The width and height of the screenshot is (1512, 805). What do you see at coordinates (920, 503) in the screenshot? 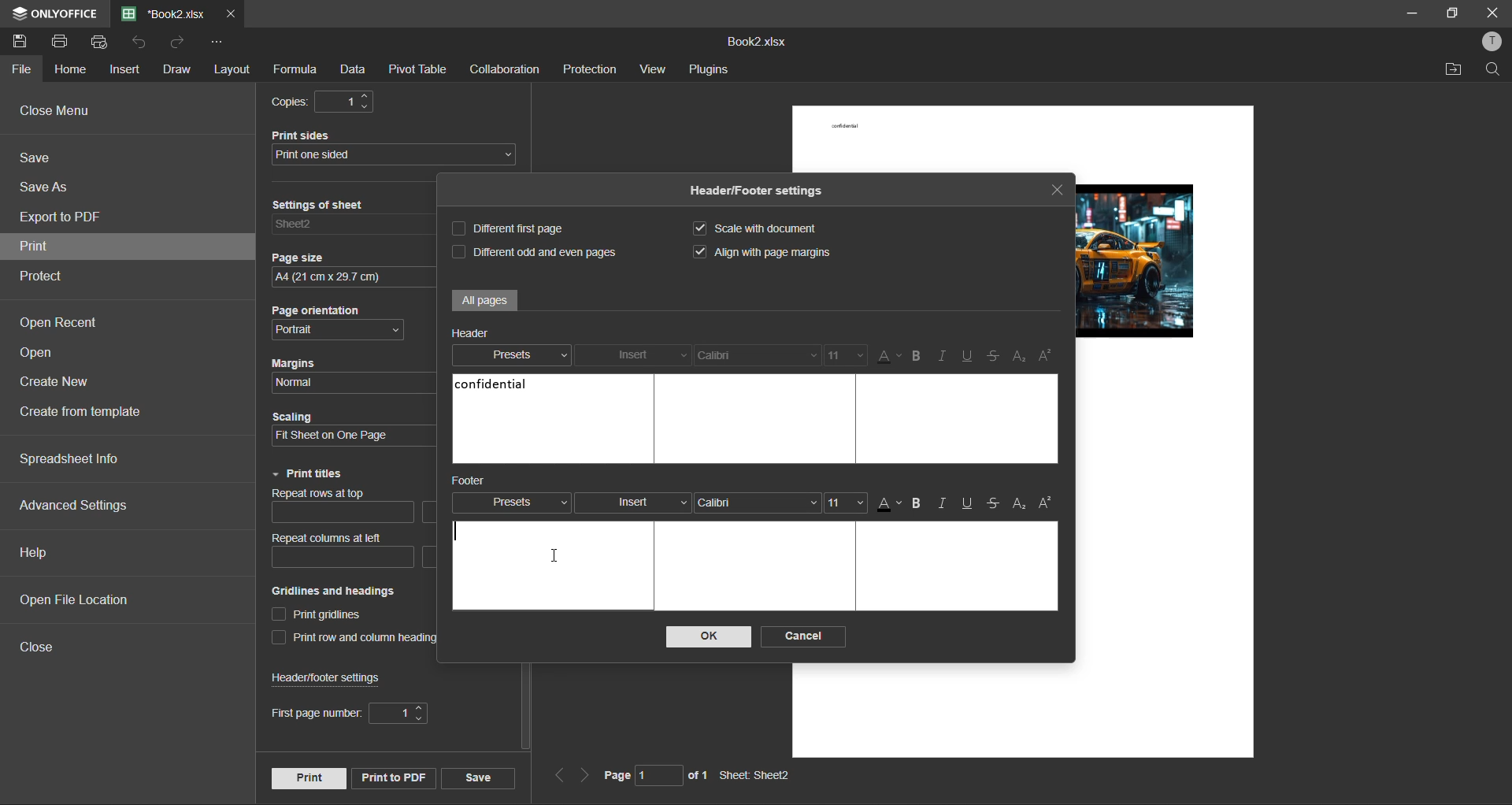
I see `bold` at bounding box center [920, 503].